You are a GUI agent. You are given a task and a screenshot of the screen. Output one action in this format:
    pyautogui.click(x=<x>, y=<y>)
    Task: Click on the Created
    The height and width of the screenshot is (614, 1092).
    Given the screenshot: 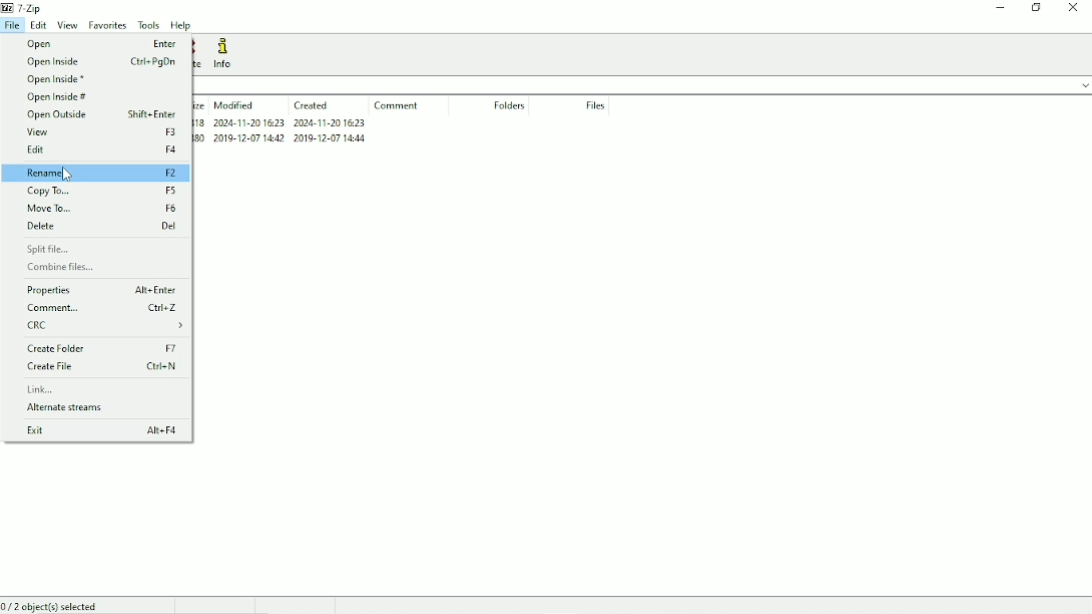 What is the action you would take?
    pyautogui.click(x=312, y=106)
    